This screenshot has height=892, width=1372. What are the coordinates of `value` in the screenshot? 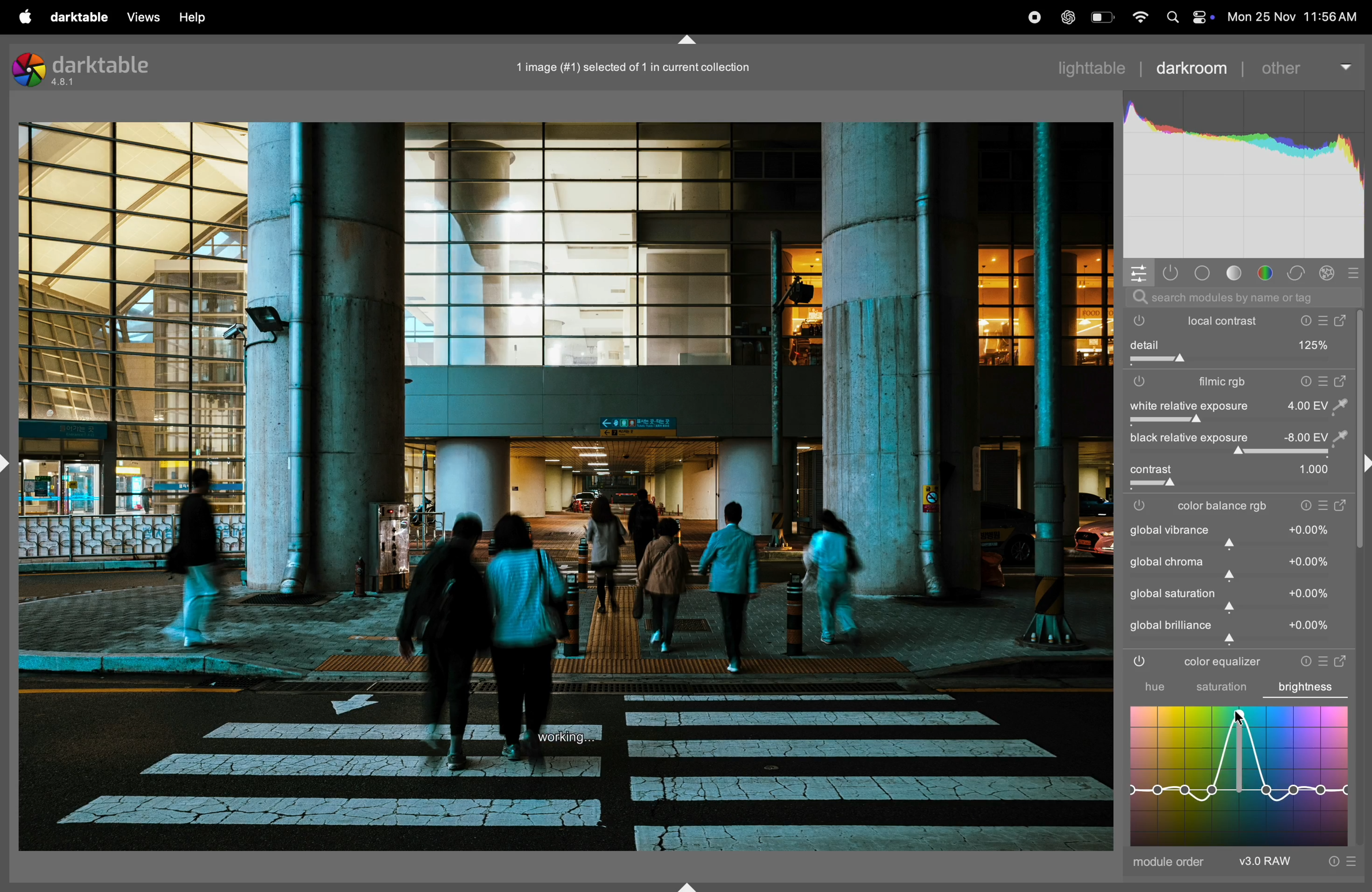 It's located at (1310, 561).